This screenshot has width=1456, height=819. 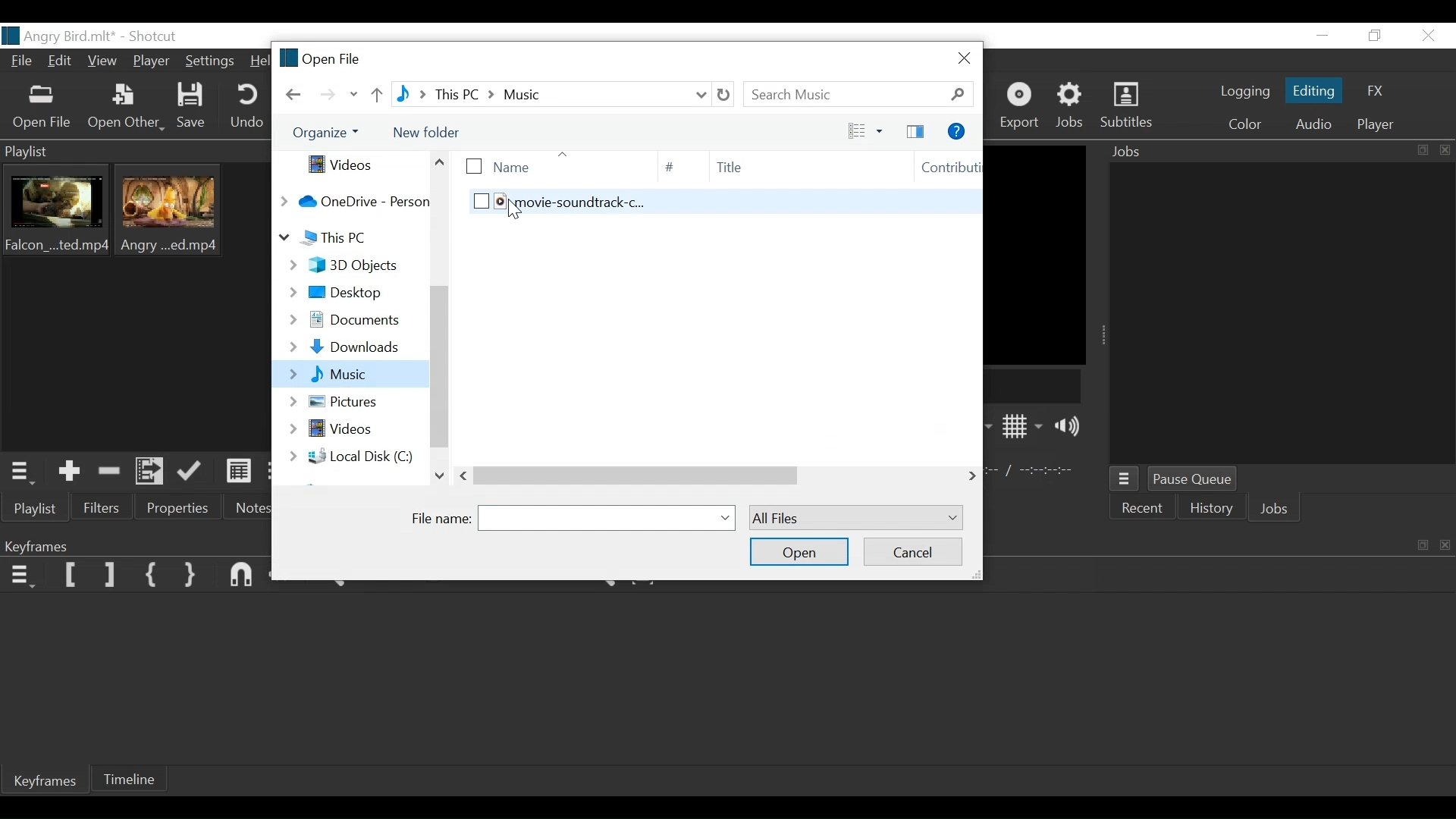 I want to click on View, so click(x=104, y=64).